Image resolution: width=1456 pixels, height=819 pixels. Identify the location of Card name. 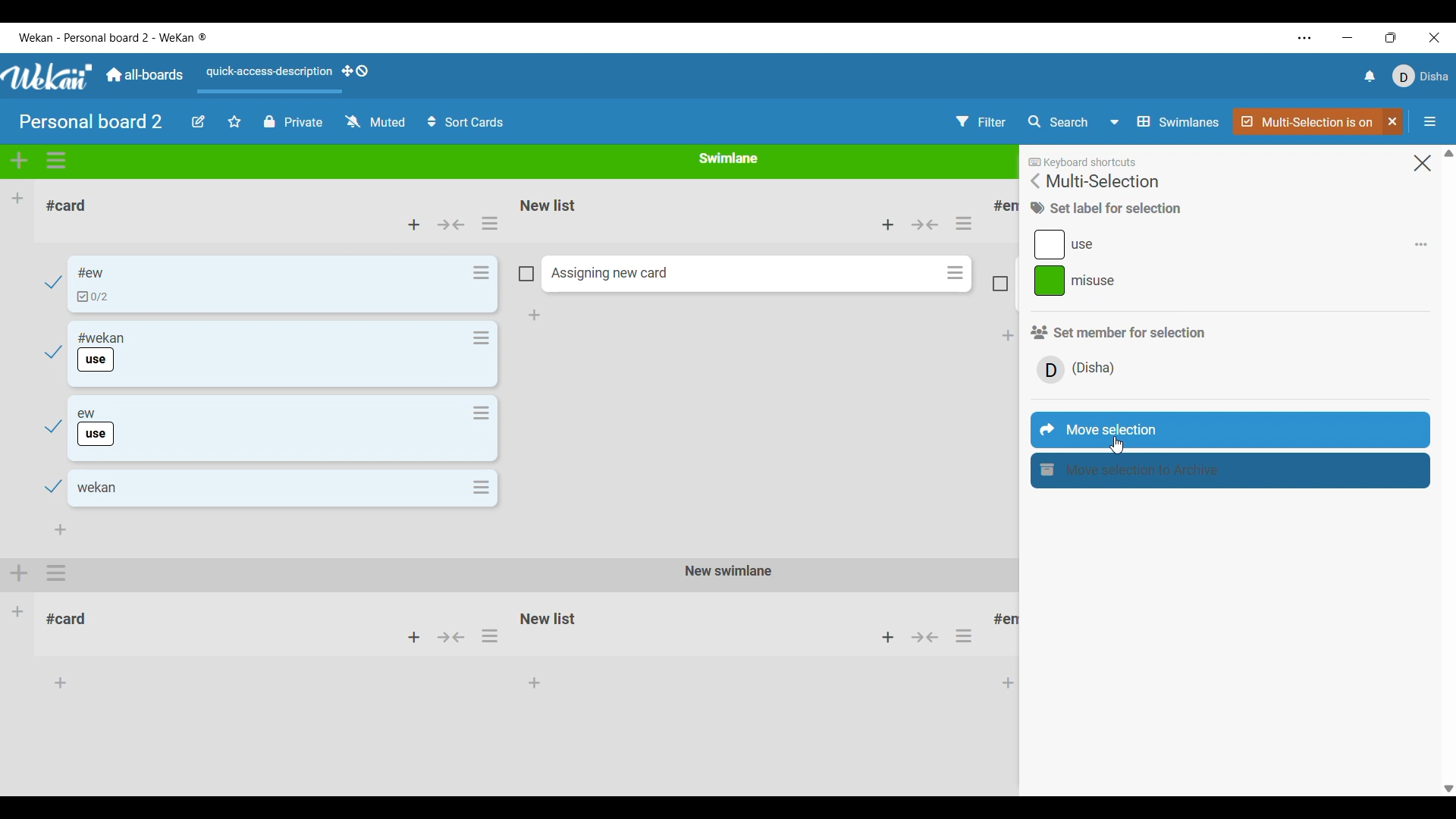
(95, 272).